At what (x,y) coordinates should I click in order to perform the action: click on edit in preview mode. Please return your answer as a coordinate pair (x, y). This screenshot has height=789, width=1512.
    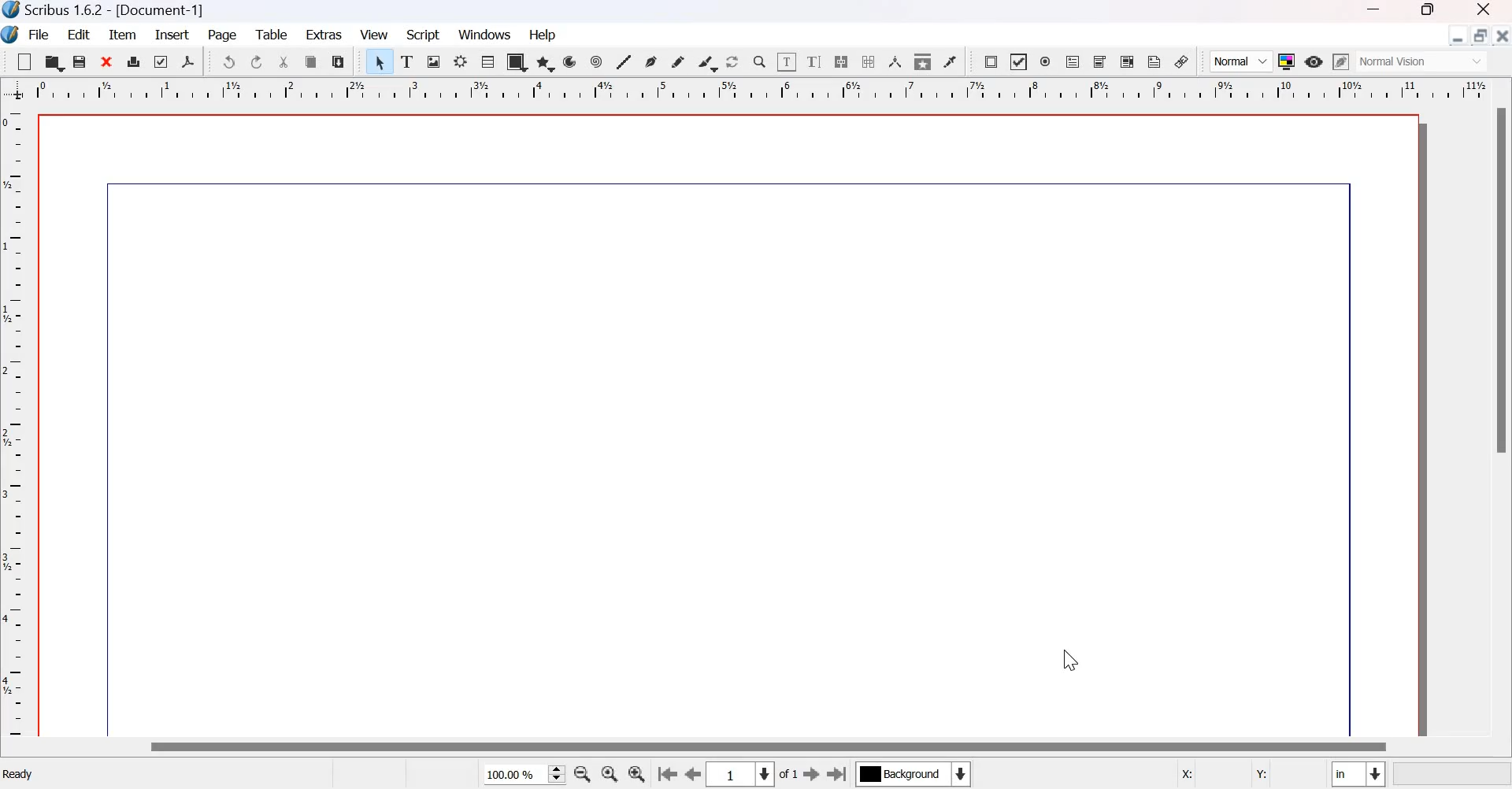
    Looking at the image, I should click on (1341, 63).